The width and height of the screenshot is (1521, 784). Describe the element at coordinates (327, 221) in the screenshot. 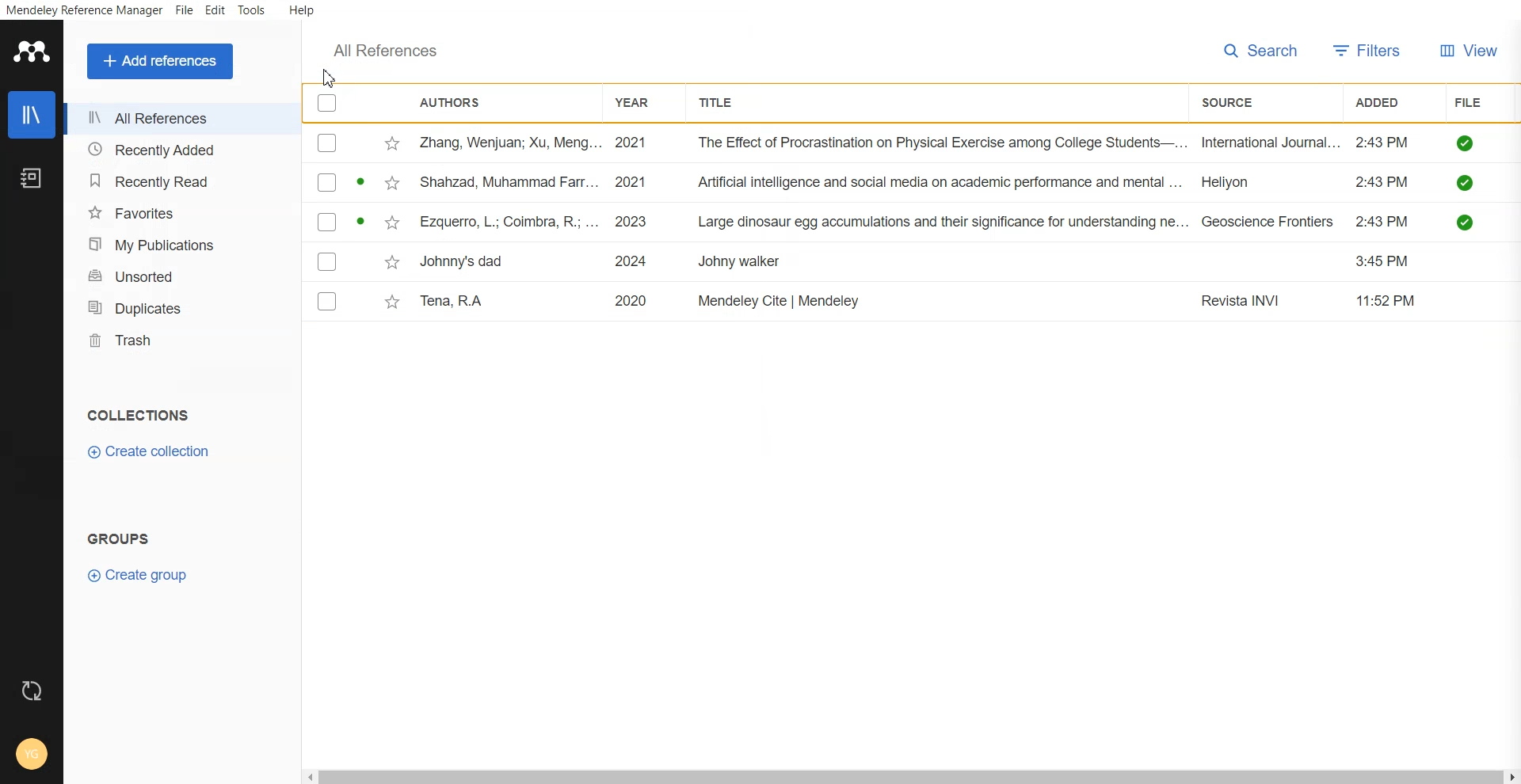

I see `checkbox` at that location.